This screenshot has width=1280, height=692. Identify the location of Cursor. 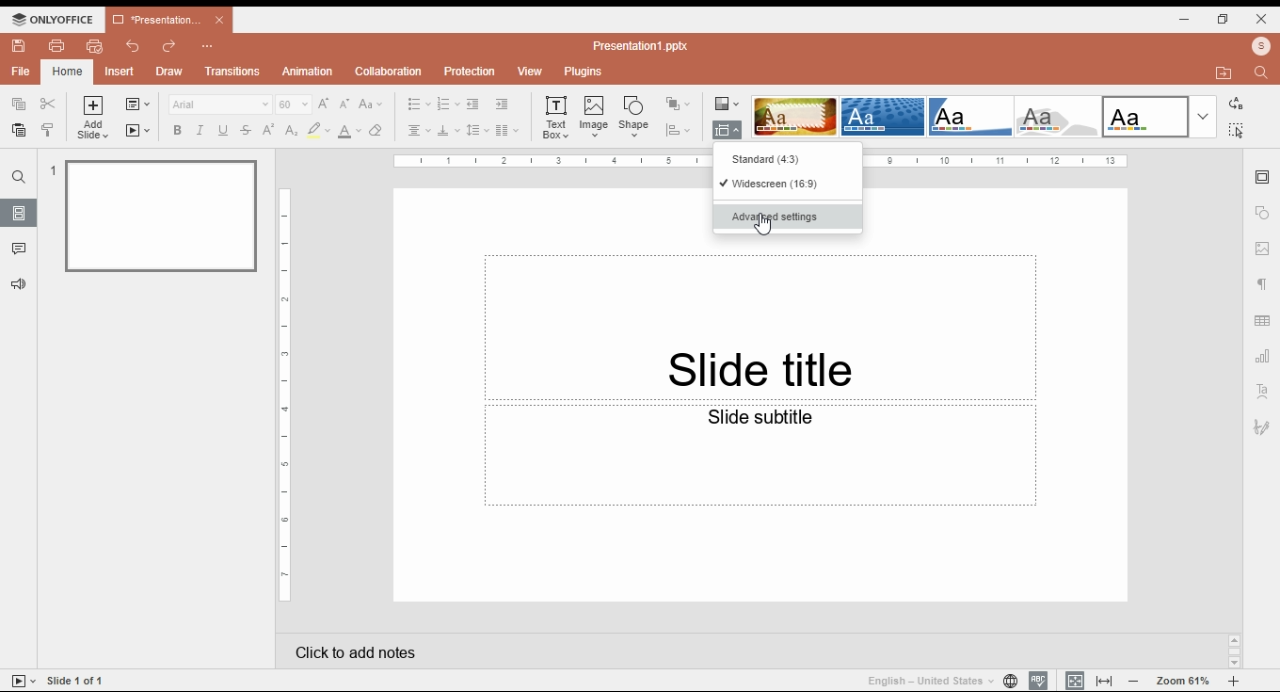
(763, 226).